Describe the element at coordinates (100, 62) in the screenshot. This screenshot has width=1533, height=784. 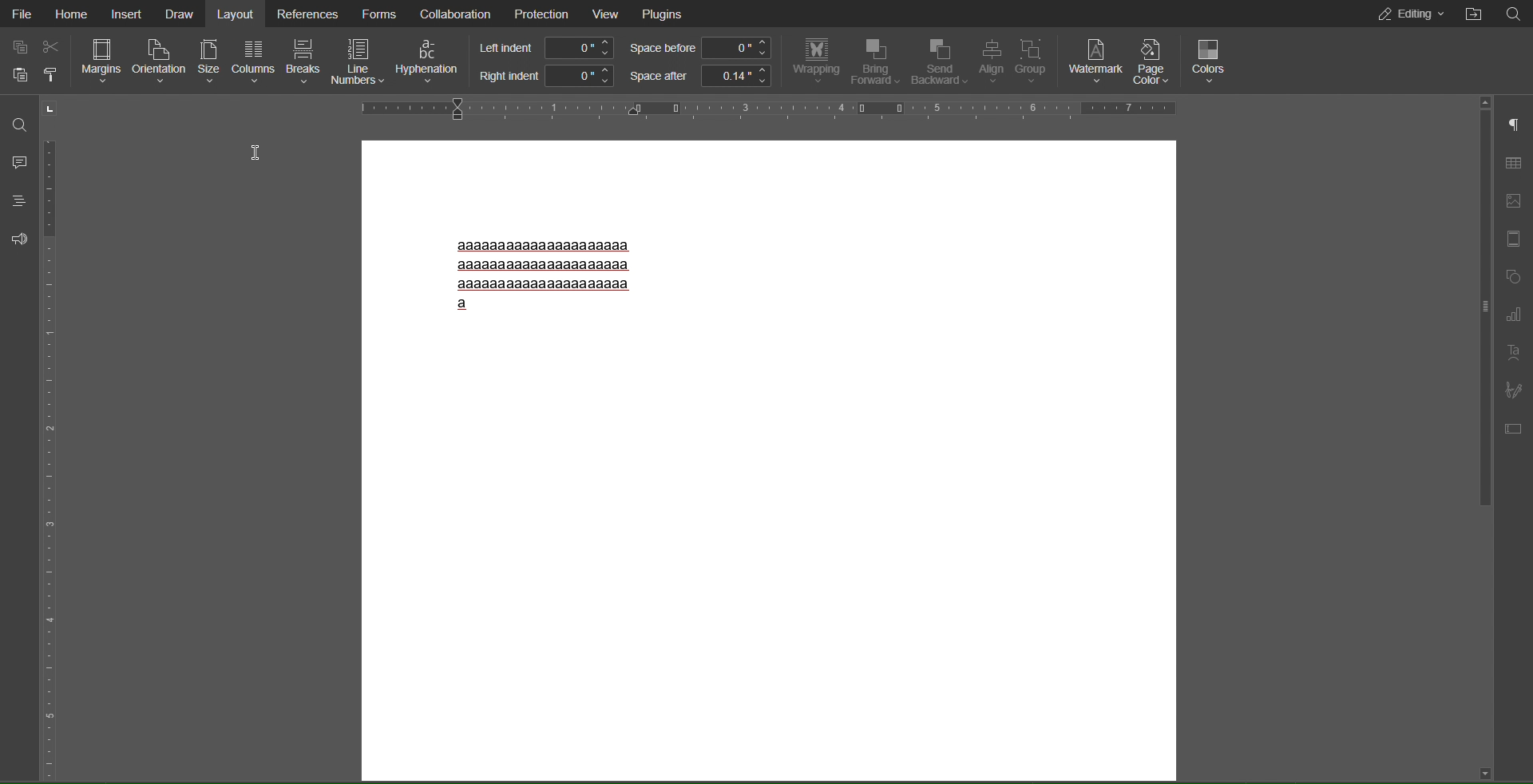
I see `Margins` at that location.